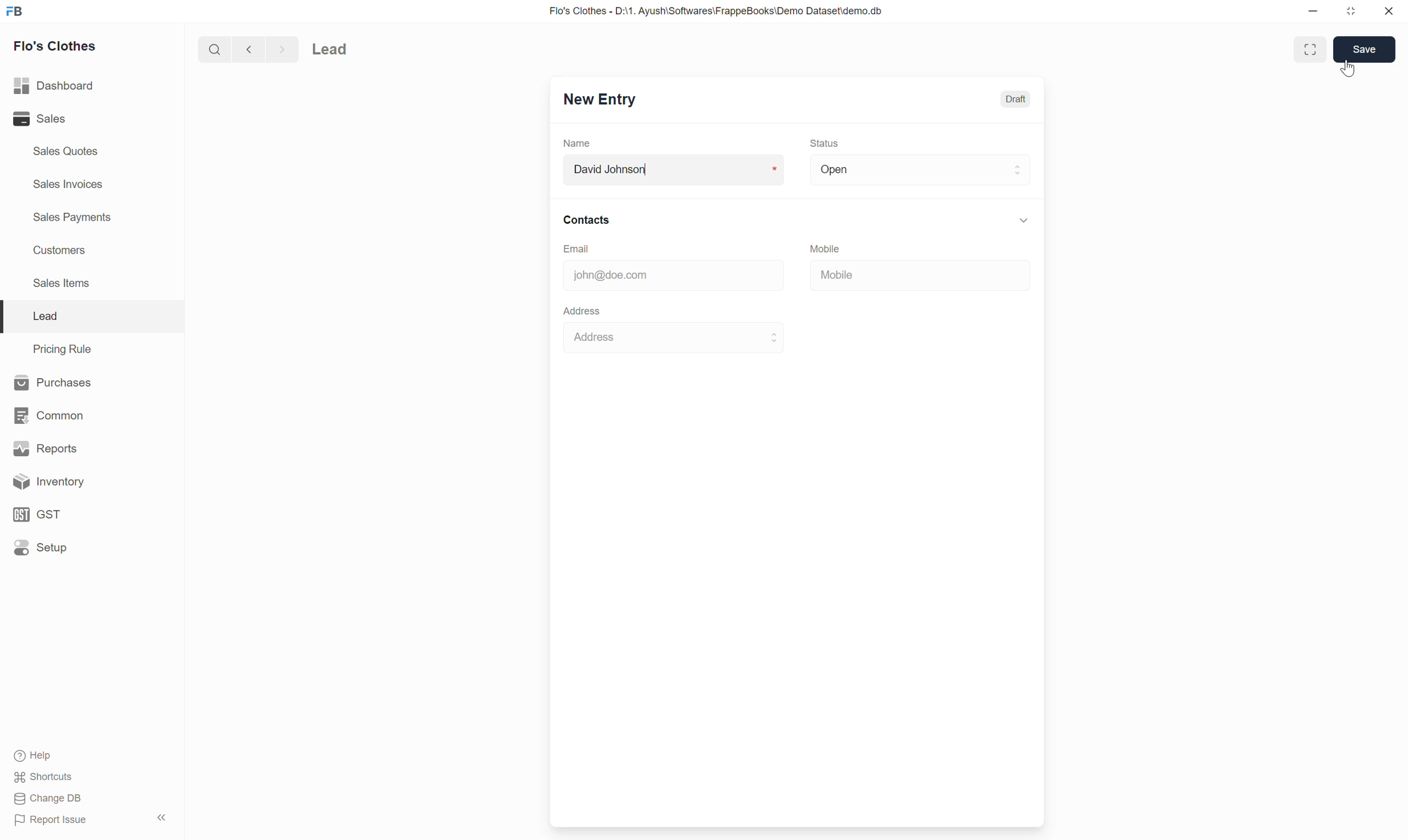 This screenshot has width=1408, height=840. What do you see at coordinates (66, 286) in the screenshot?
I see `Sales Items` at bounding box center [66, 286].